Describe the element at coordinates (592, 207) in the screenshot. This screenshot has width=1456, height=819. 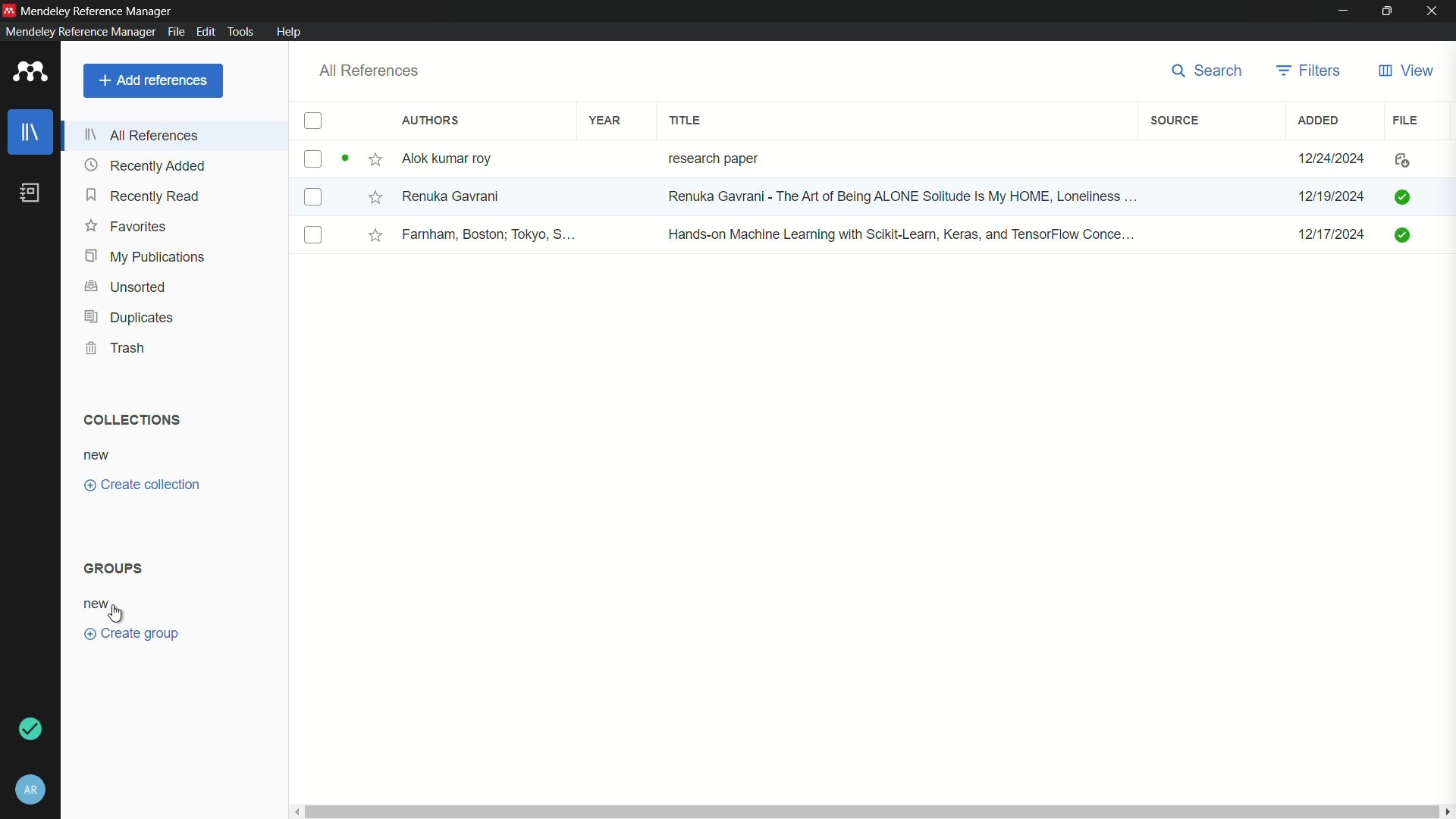
I see `cursor` at that location.